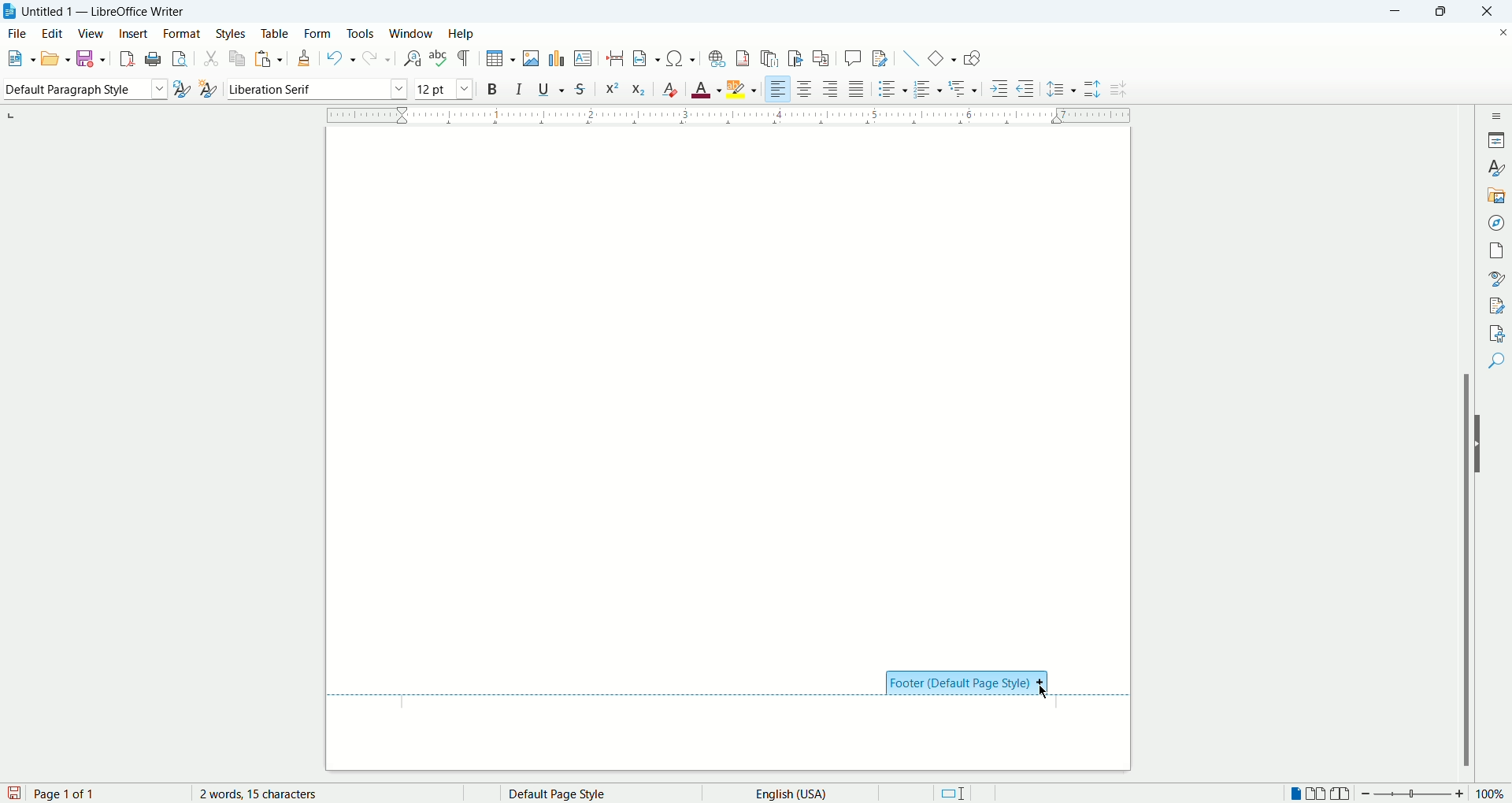 The height and width of the screenshot is (803, 1512). I want to click on decrease indent, so click(1025, 88).